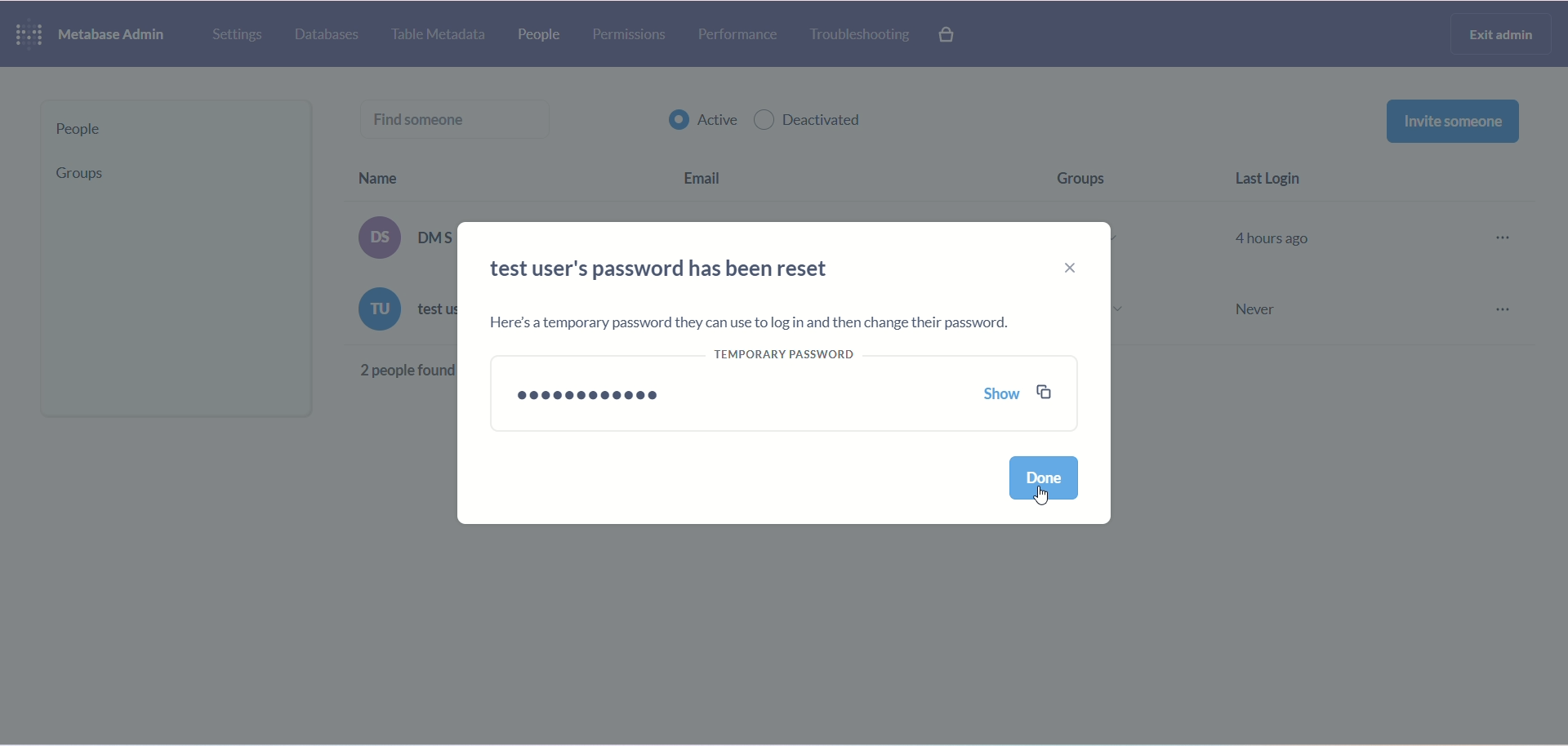 This screenshot has width=1568, height=746. Describe the element at coordinates (948, 34) in the screenshot. I see `paid features` at that location.